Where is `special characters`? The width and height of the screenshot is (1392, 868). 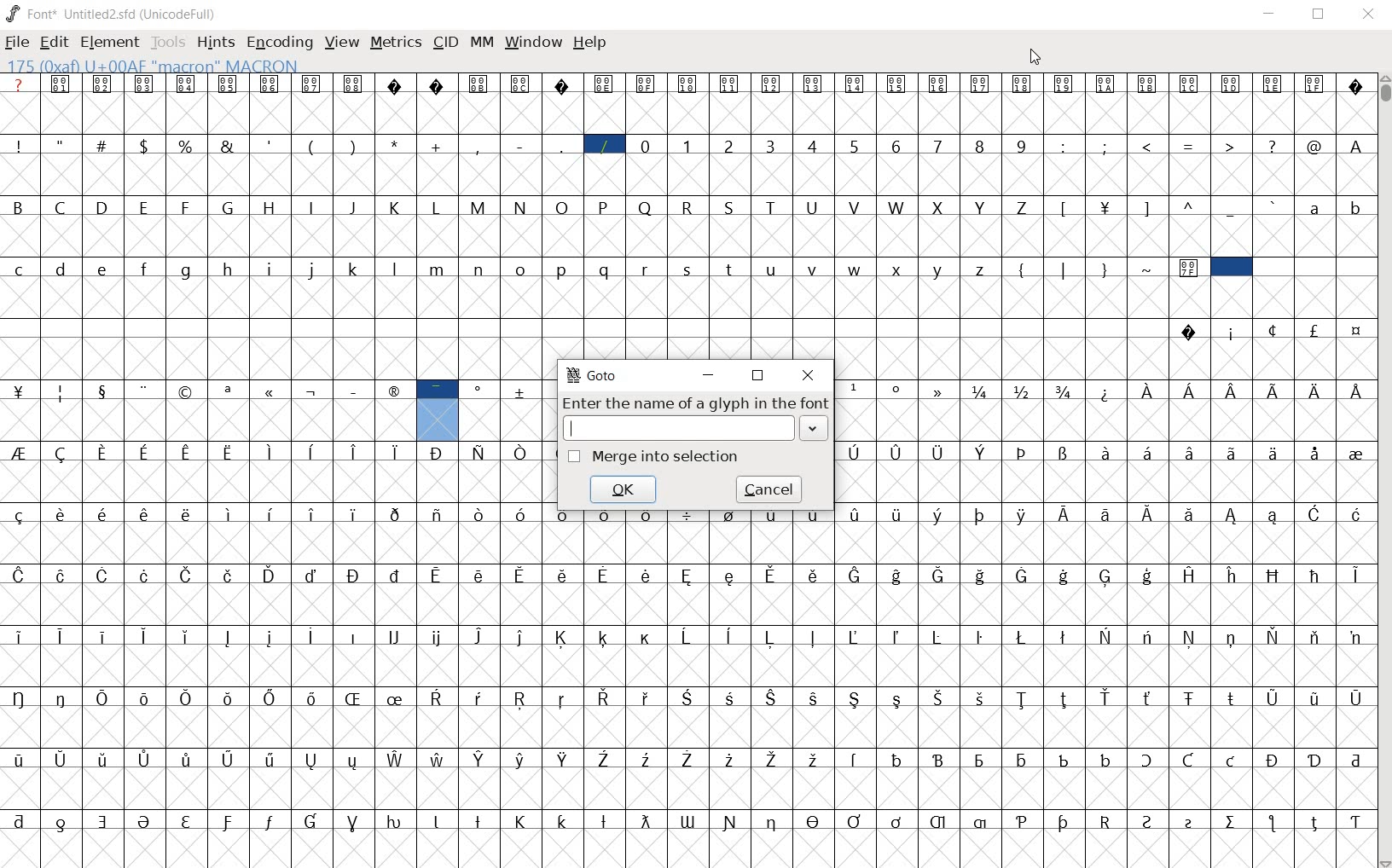
special characters is located at coordinates (1064, 223).